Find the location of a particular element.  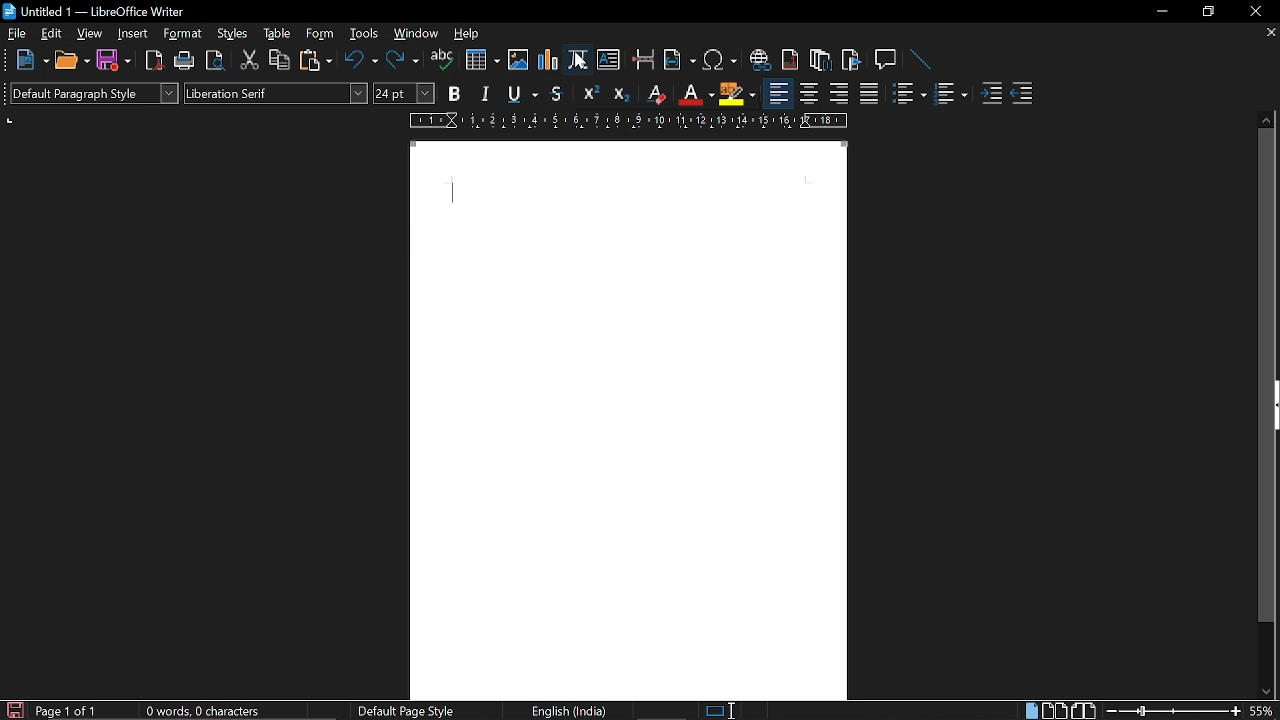

tools is located at coordinates (366, 34).